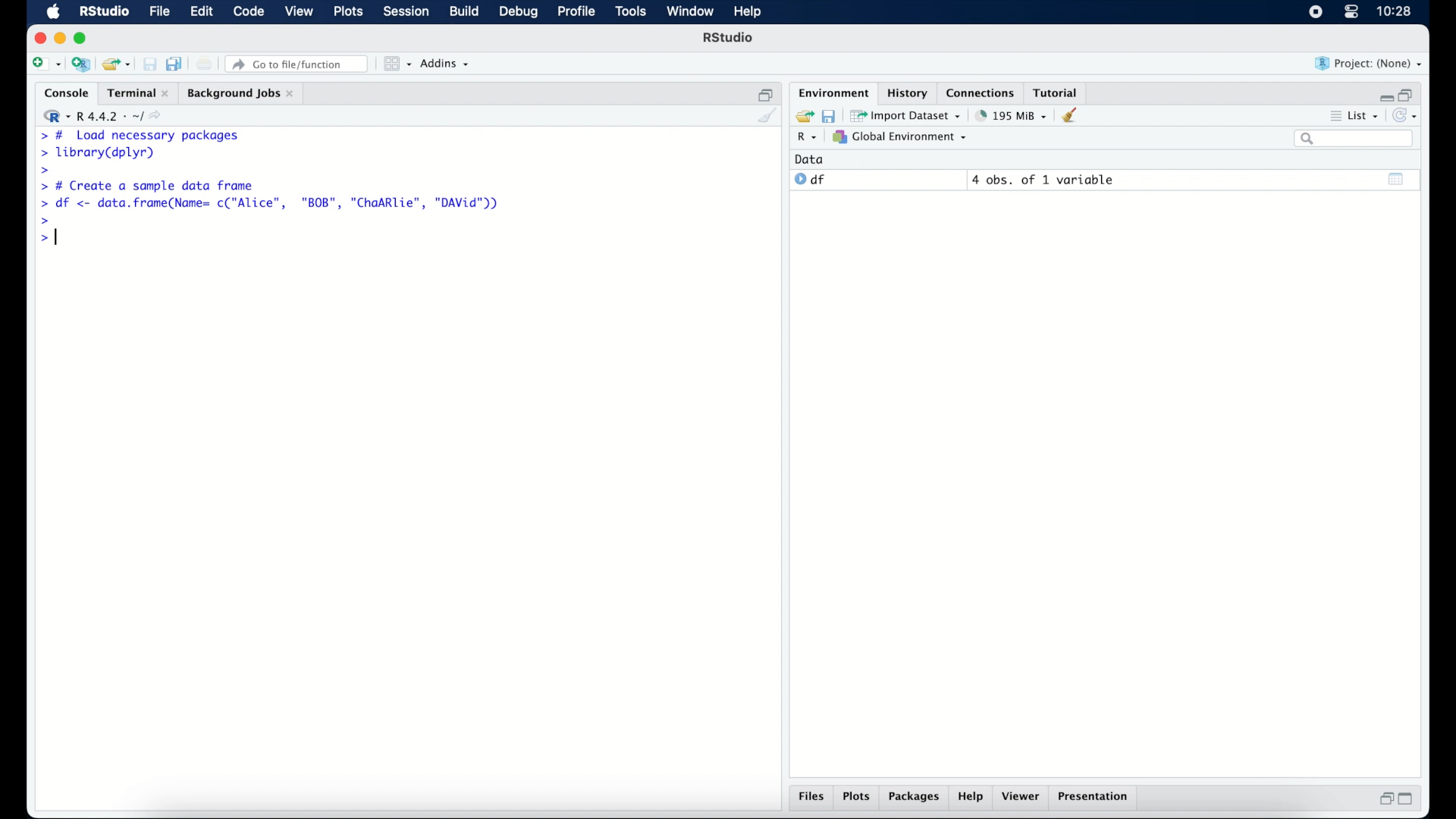 The width and height of the screenshot is (1456, 819). What do you see at coordinates (766, 117) in the screenshot?
I see `clear console` at bounding box center [766, 117].